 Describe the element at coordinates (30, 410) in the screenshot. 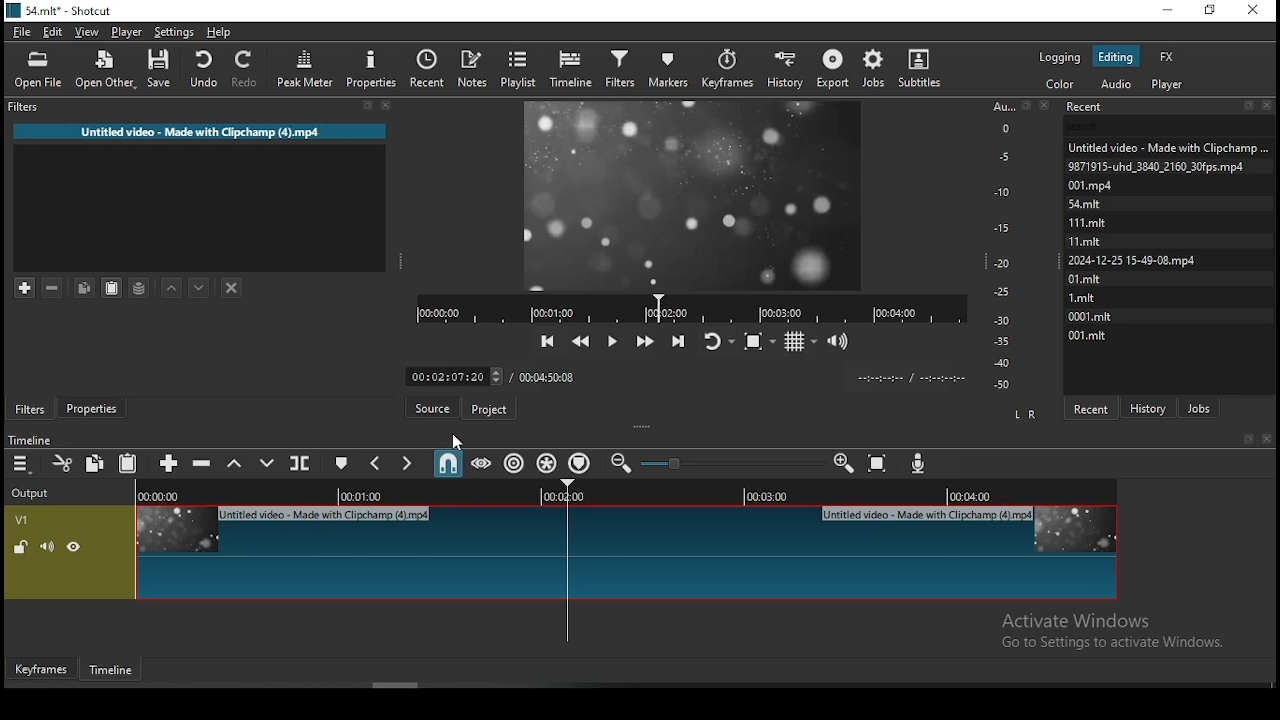

I see `filters` at that location.